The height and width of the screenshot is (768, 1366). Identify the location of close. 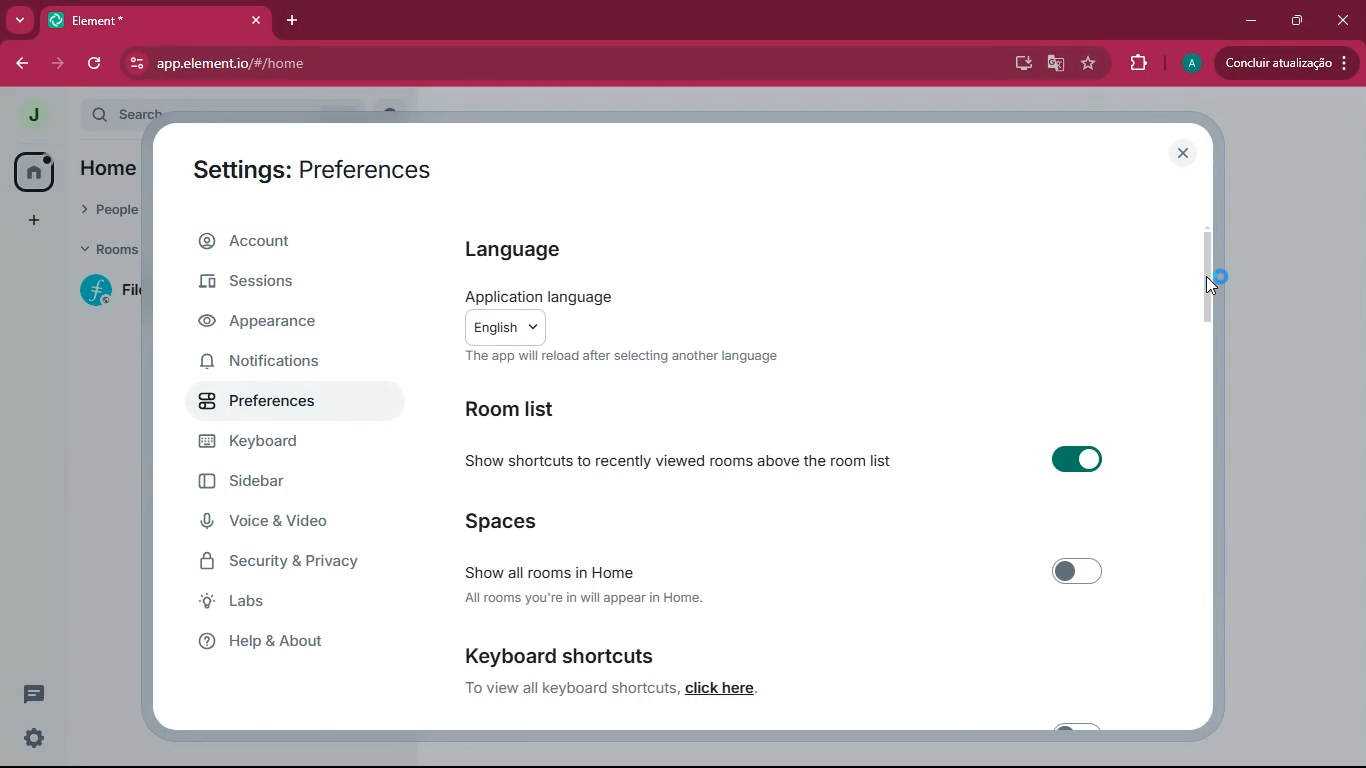
(1184, 152).